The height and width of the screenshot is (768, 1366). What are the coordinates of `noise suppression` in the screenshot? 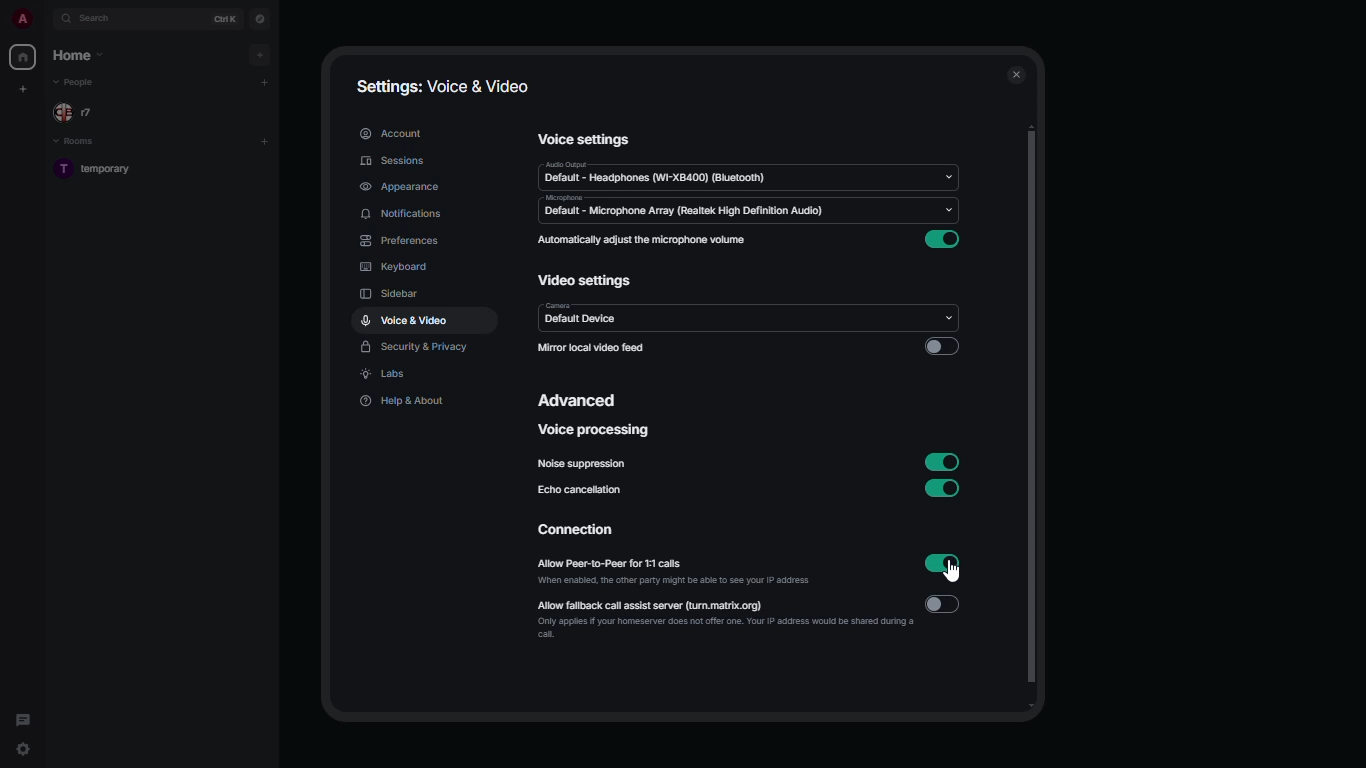 It's located at (579, 464).